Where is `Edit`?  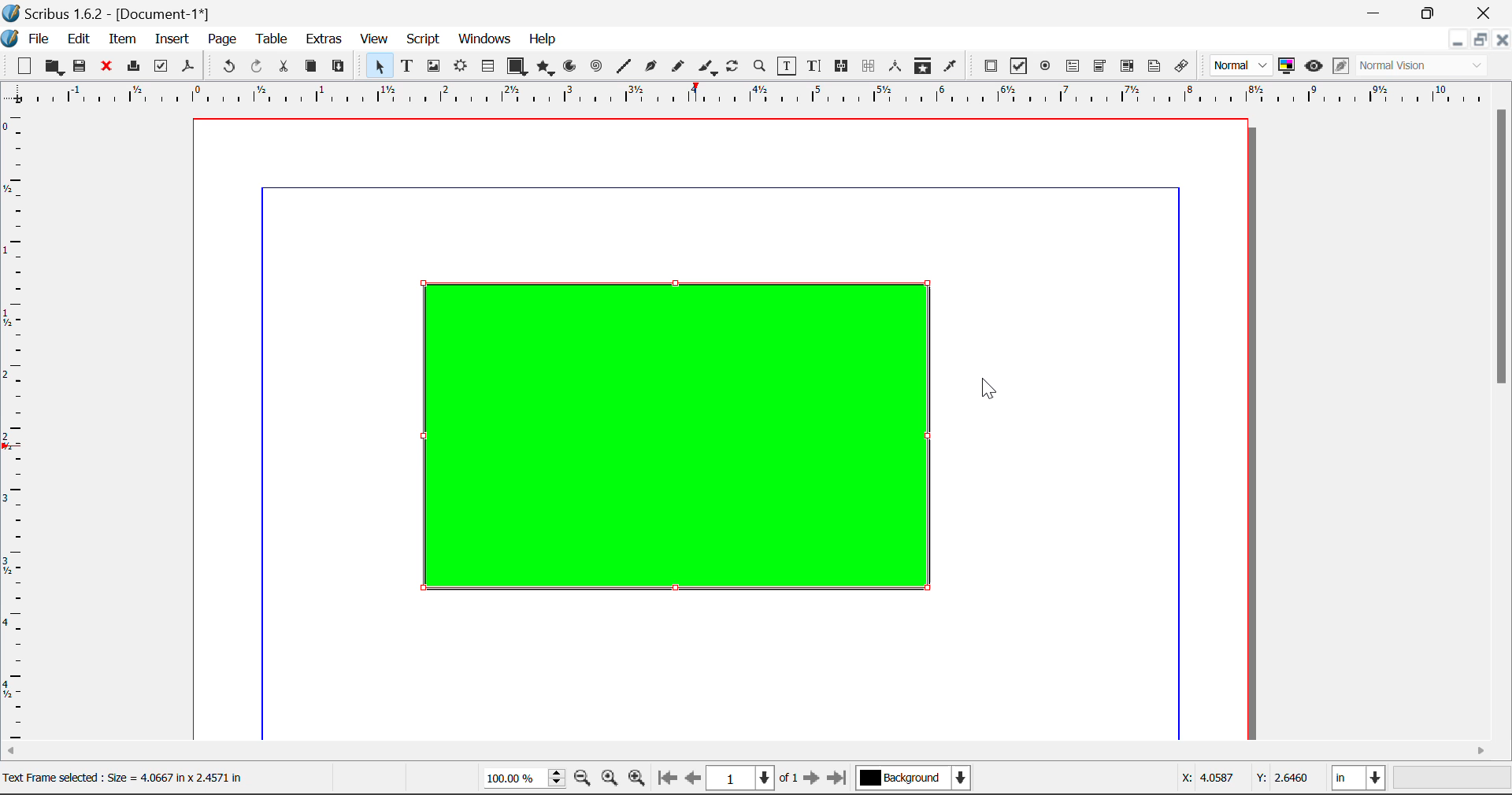 Edit is located at coordinates (79, 38).